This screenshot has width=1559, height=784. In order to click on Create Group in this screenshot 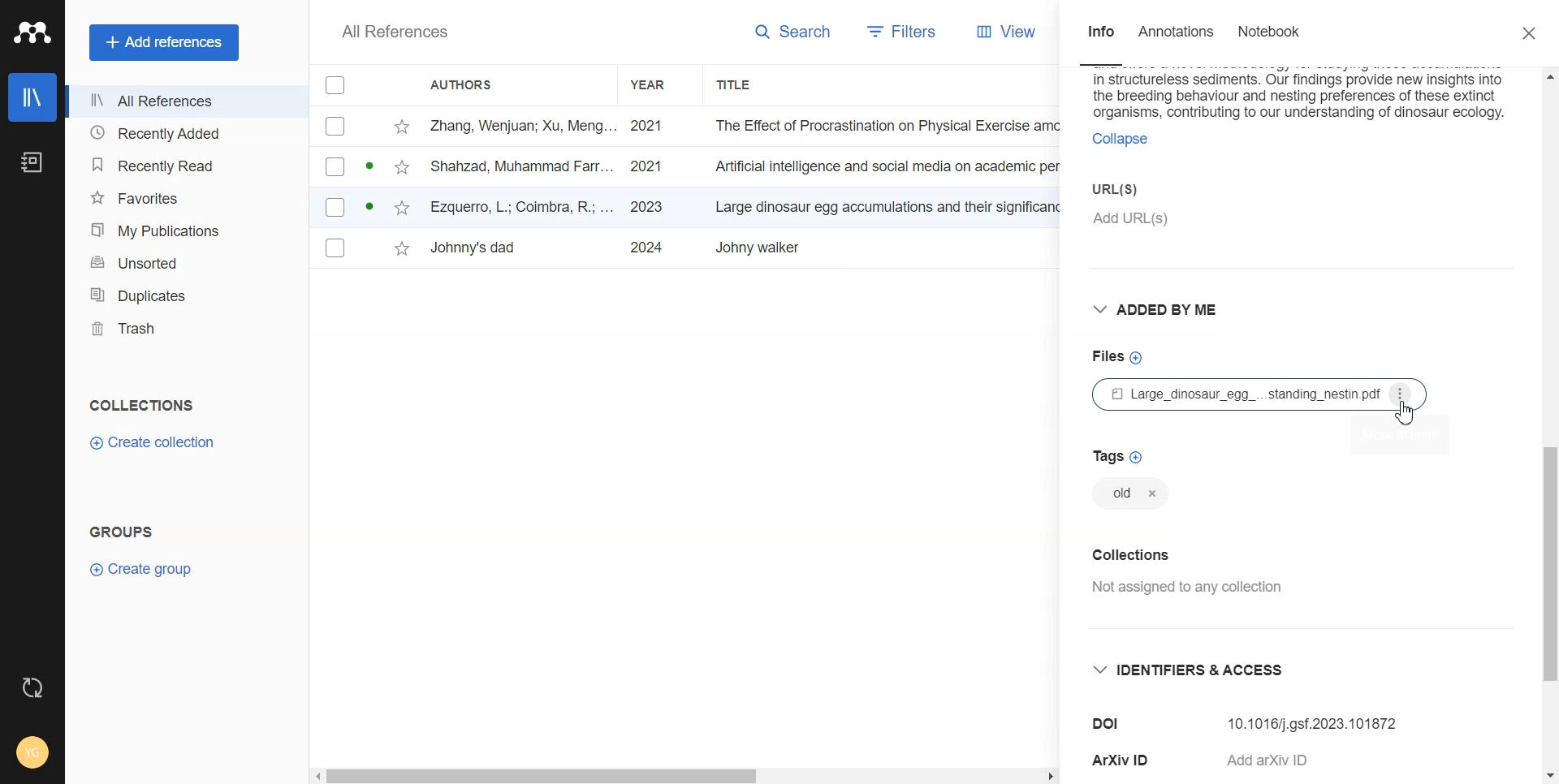, I will do `click(149, 568)`.